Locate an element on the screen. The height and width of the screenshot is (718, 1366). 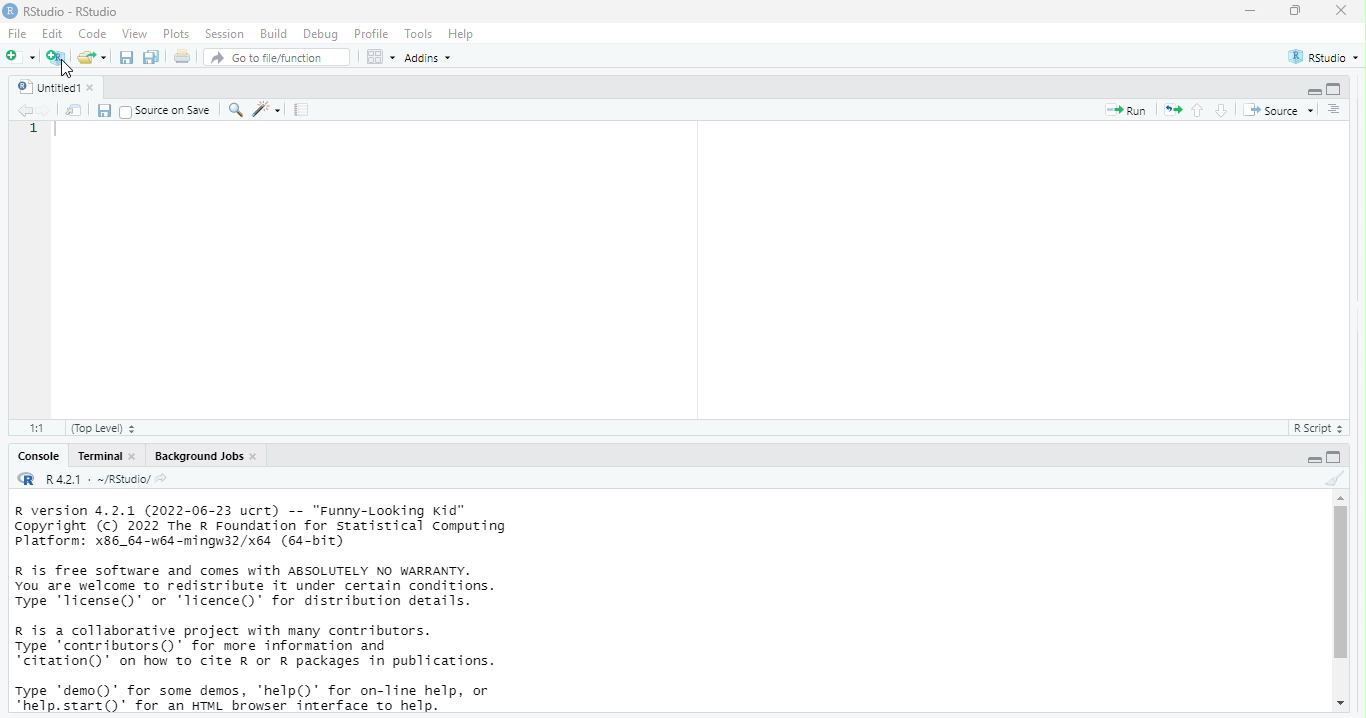
maximize is located at coordinates (1342, 86).